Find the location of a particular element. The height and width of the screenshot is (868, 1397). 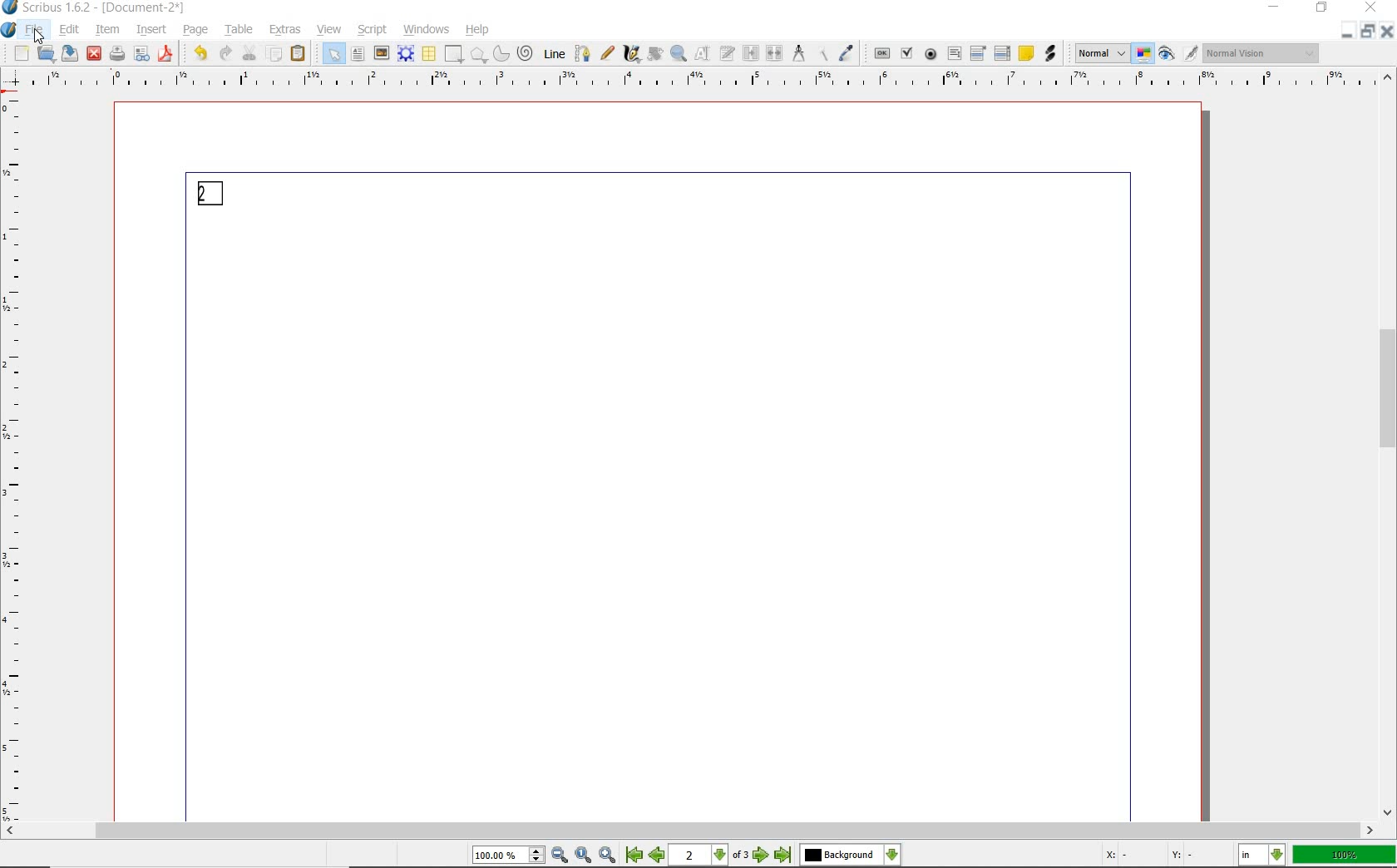

save as pdf is located at coordinates (165, 54).